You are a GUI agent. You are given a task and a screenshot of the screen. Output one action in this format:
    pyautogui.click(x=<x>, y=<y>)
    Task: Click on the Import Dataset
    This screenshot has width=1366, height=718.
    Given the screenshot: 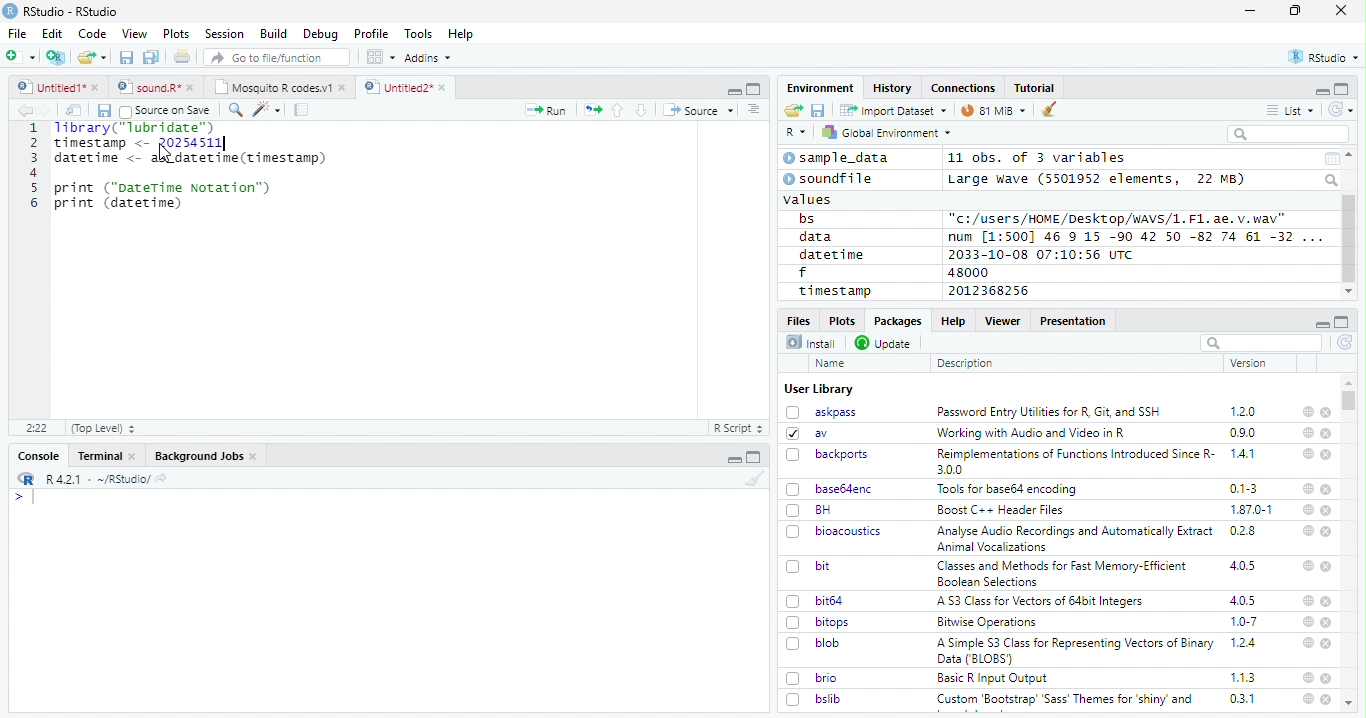 What is the action you would take?
    pyautogui.click(x=893, y=110)
    